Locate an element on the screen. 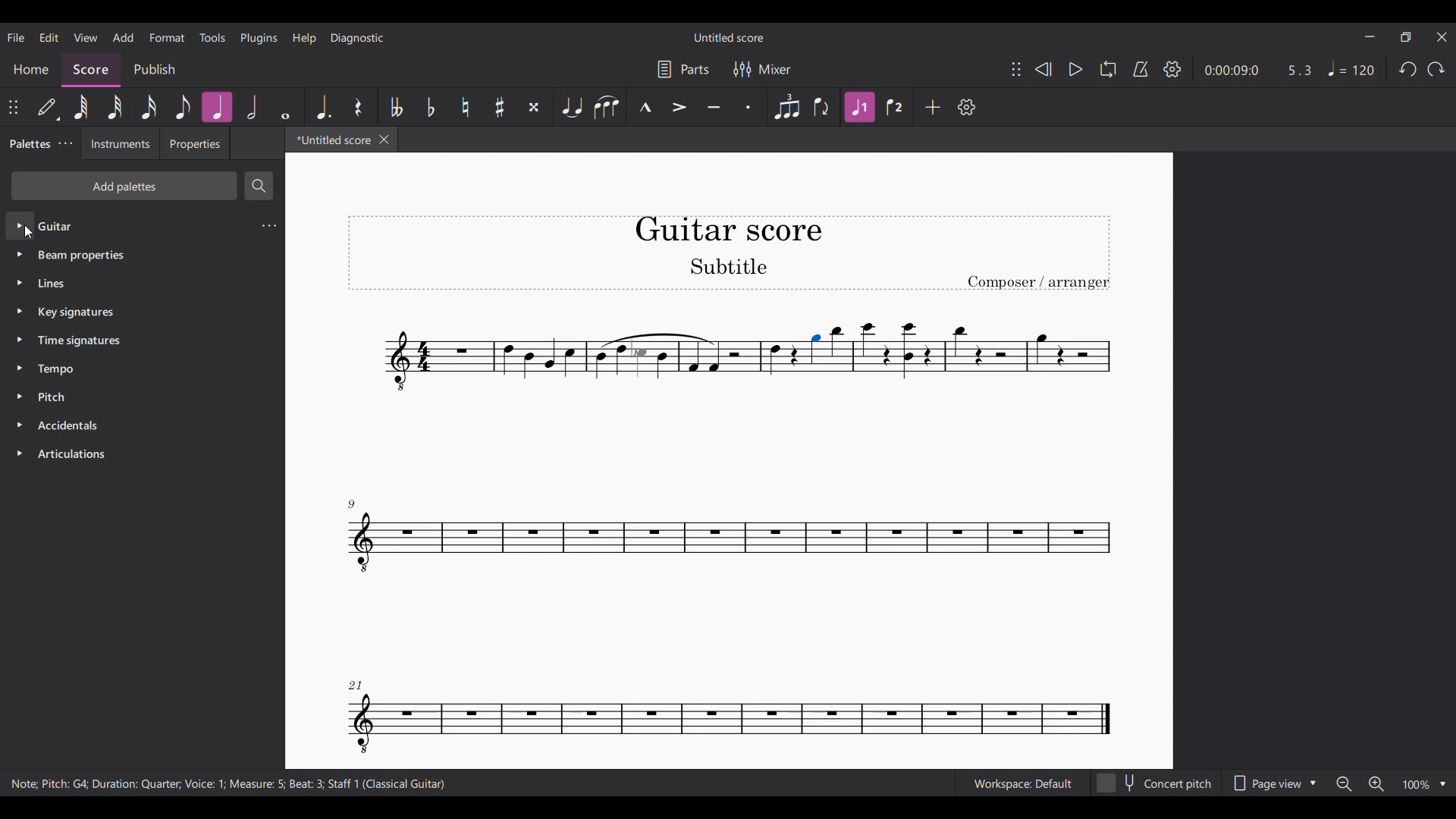  Close tab is located at coordinates (384, 140).